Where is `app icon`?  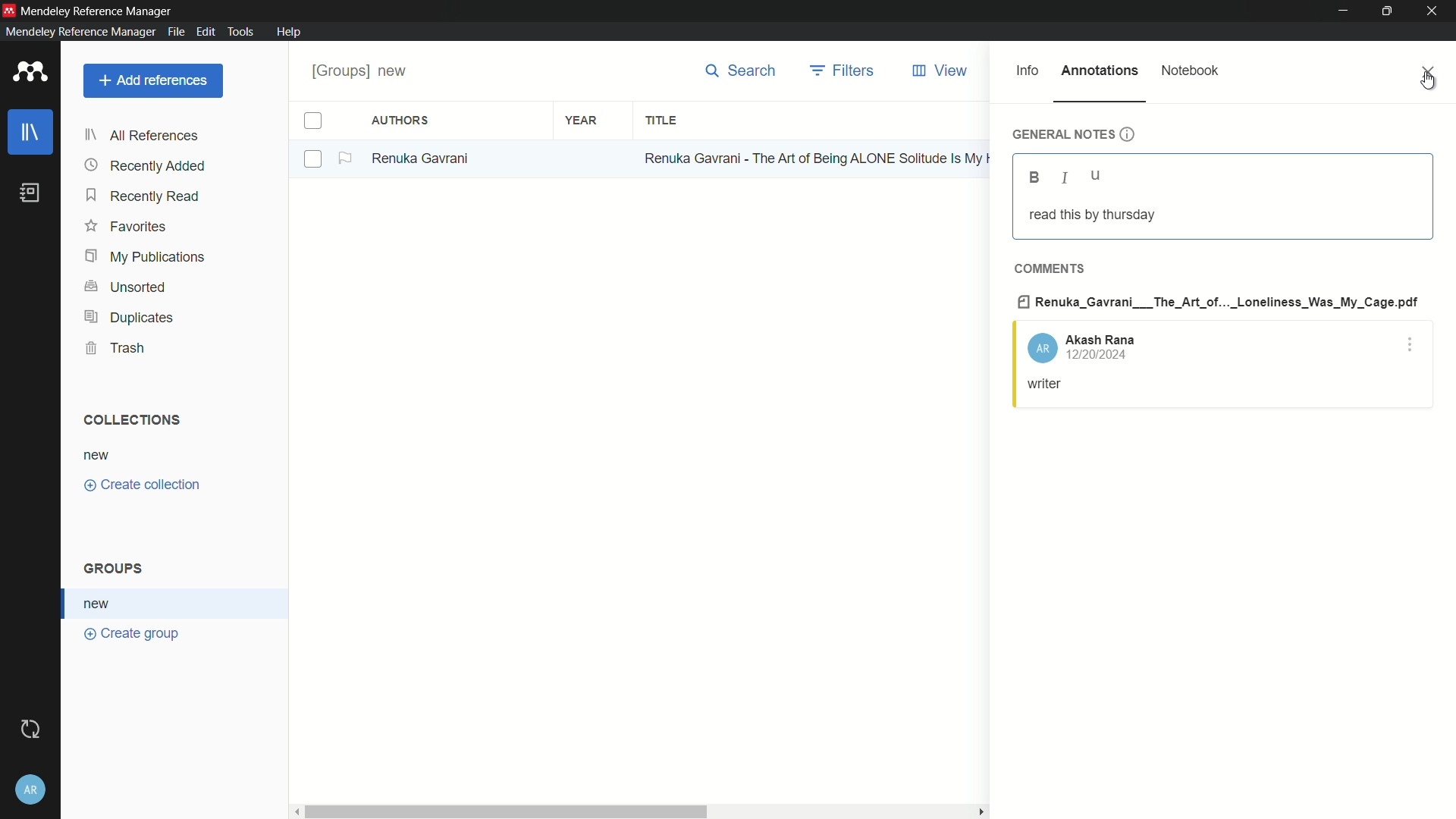 app icon is located at coordinates (9, 9).